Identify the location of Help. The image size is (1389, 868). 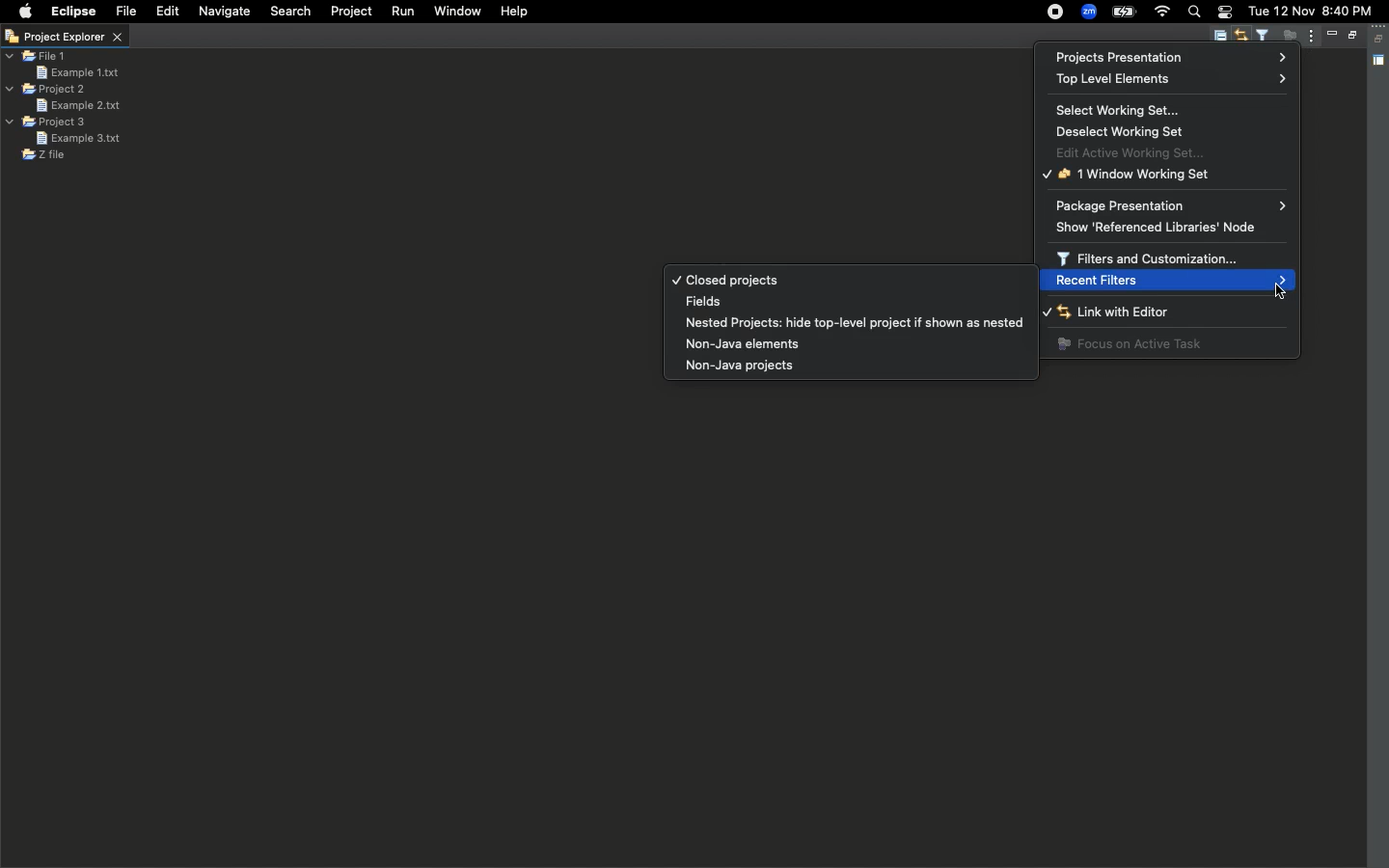
(516, 13).